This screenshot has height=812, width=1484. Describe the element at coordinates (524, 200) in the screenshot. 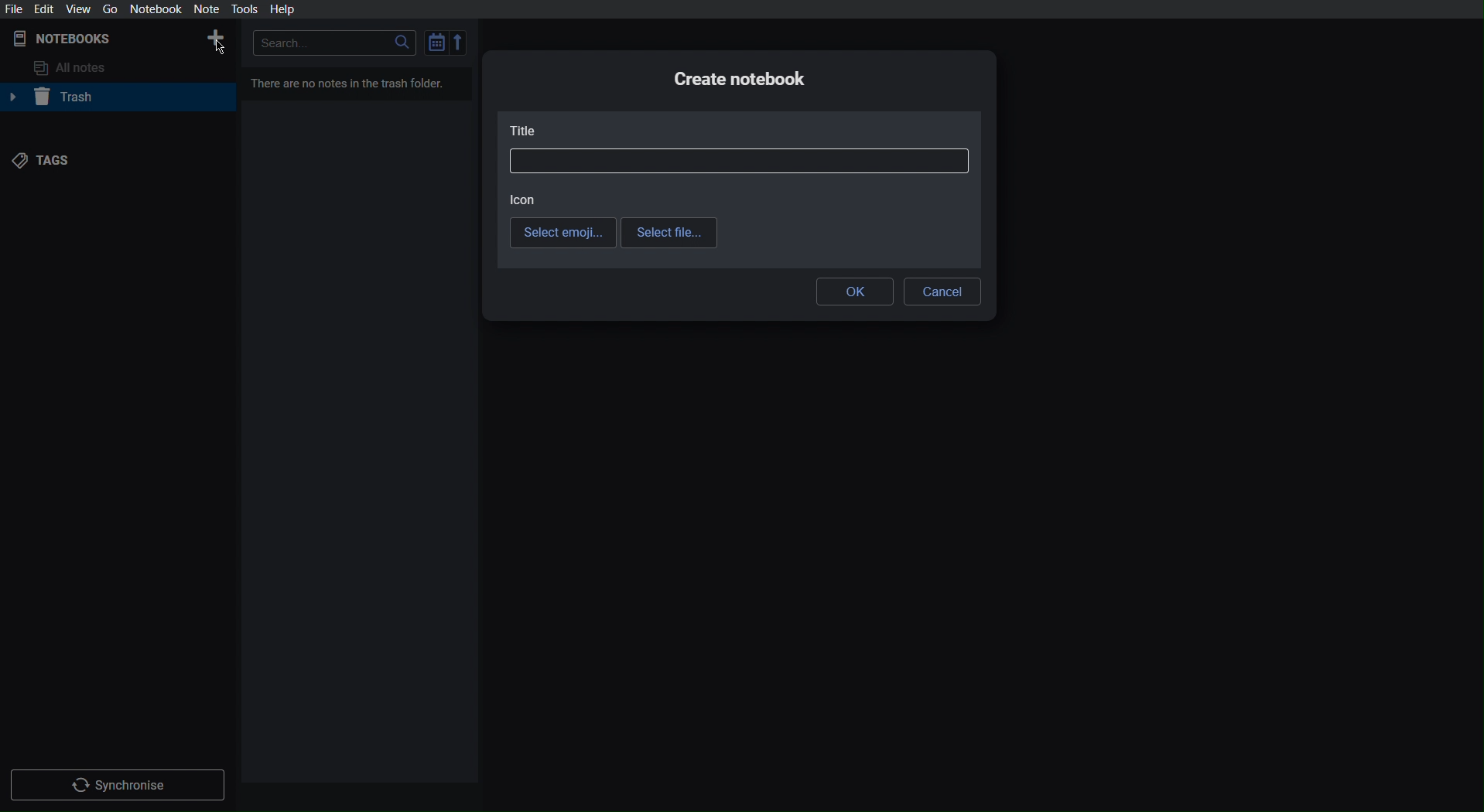

I see `Icon` at that location.